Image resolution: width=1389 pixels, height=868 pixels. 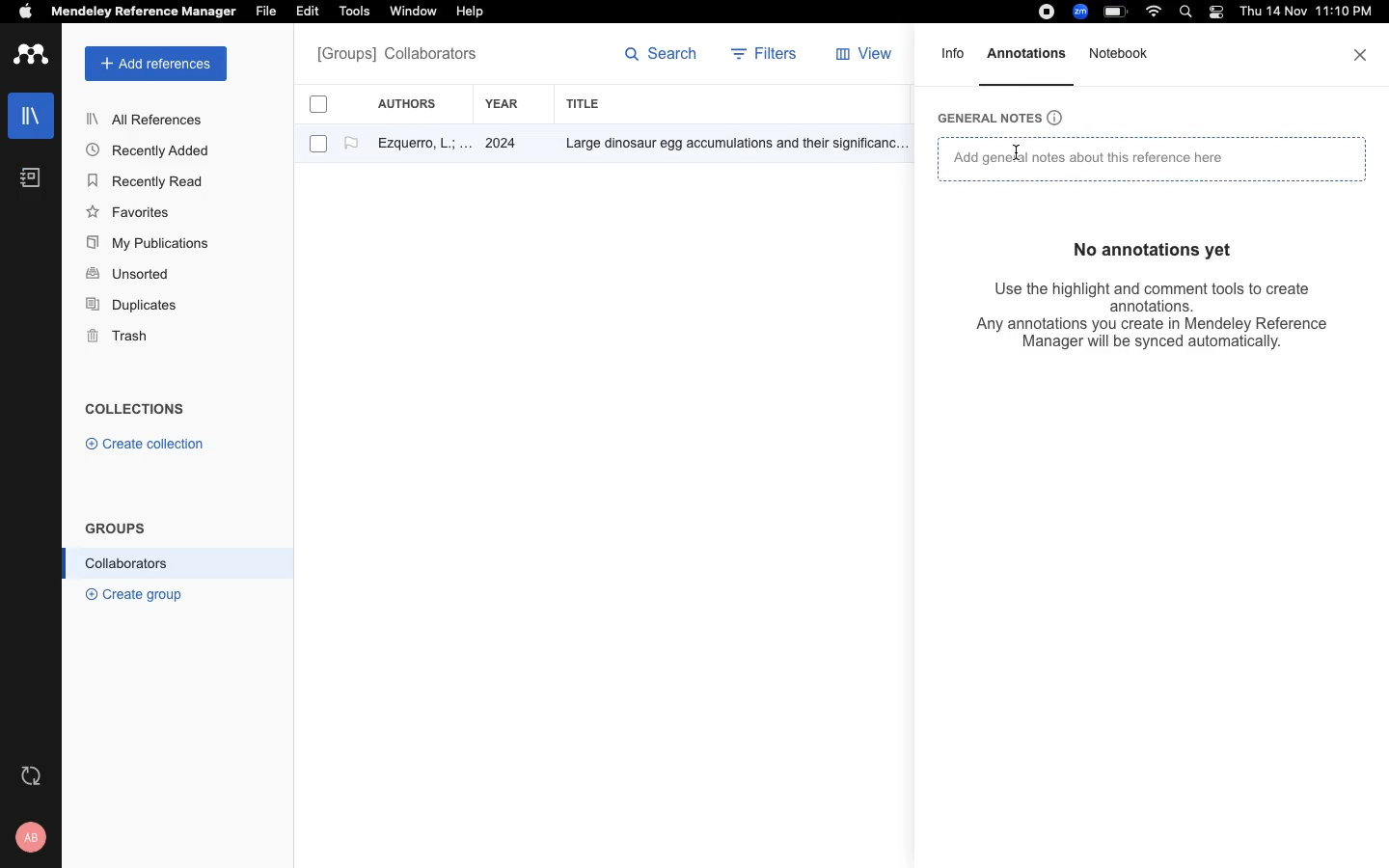 What do you see at coordinates (1092, 162) in the screenshot?
I see `‘Add geneal notes about this reference here` at bounding box center [1092, 162].